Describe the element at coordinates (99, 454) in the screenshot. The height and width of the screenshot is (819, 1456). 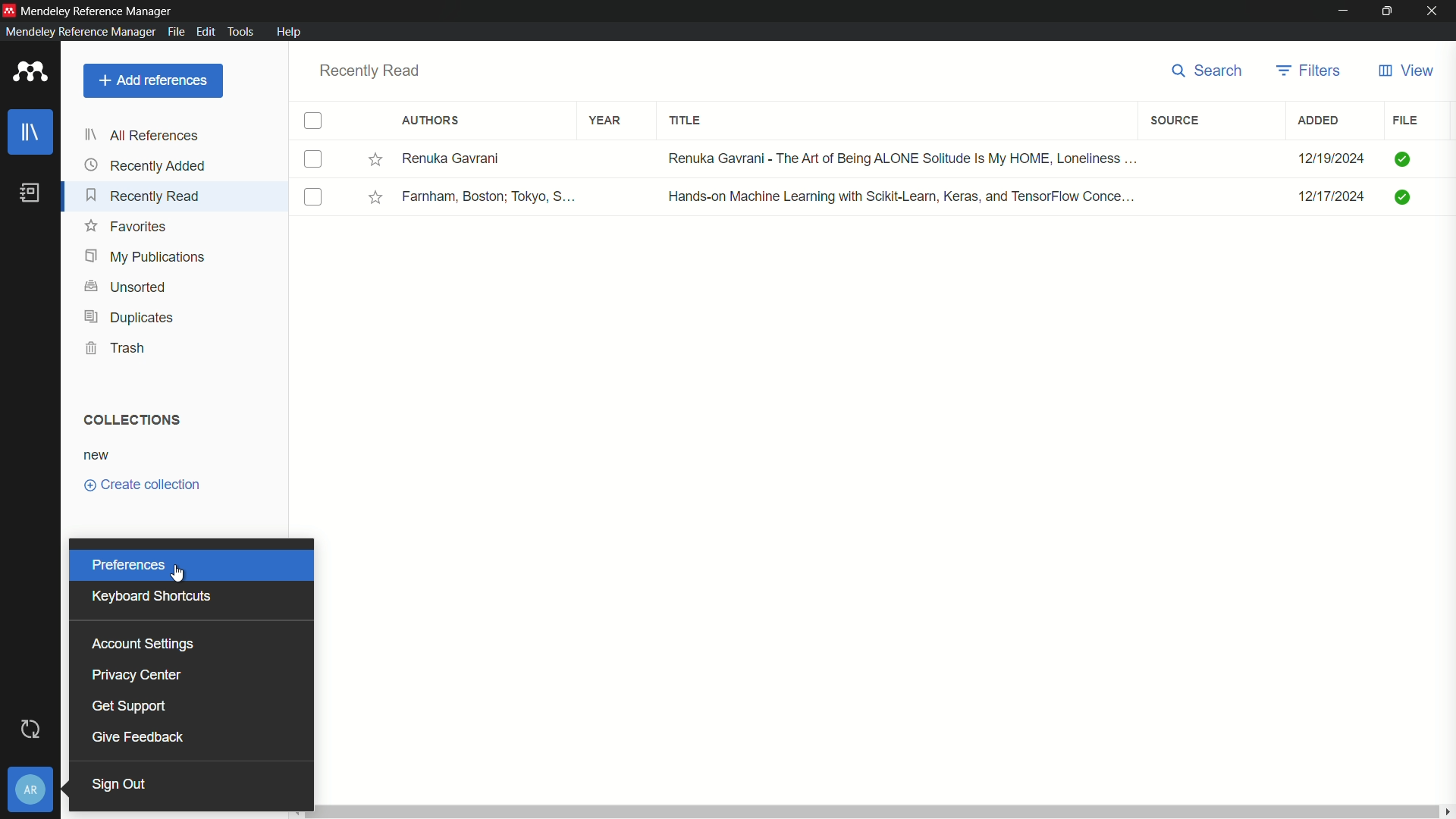
I see `new` at that location.